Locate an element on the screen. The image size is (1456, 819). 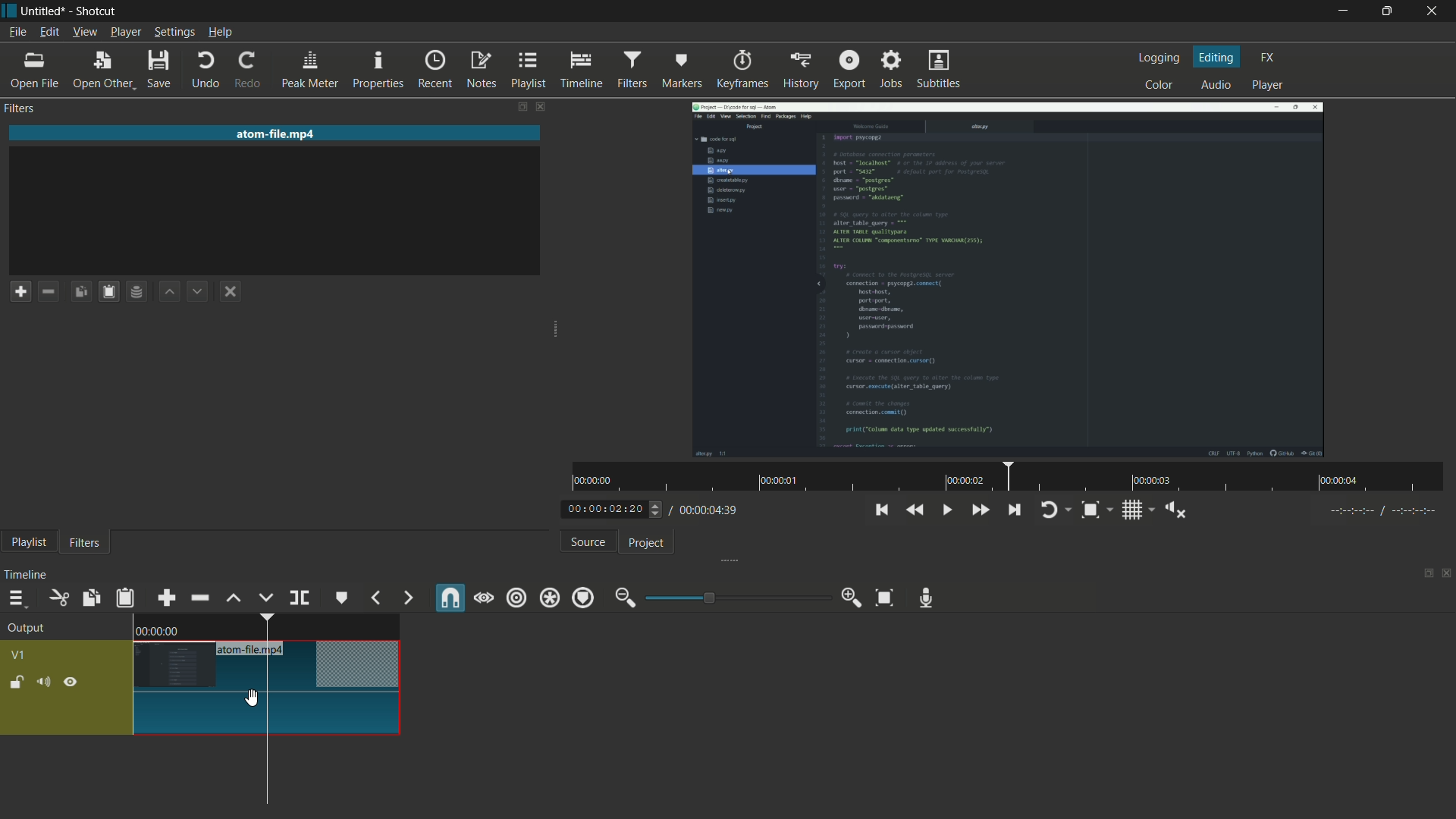
move filter up is located at coordinates (167, 293).